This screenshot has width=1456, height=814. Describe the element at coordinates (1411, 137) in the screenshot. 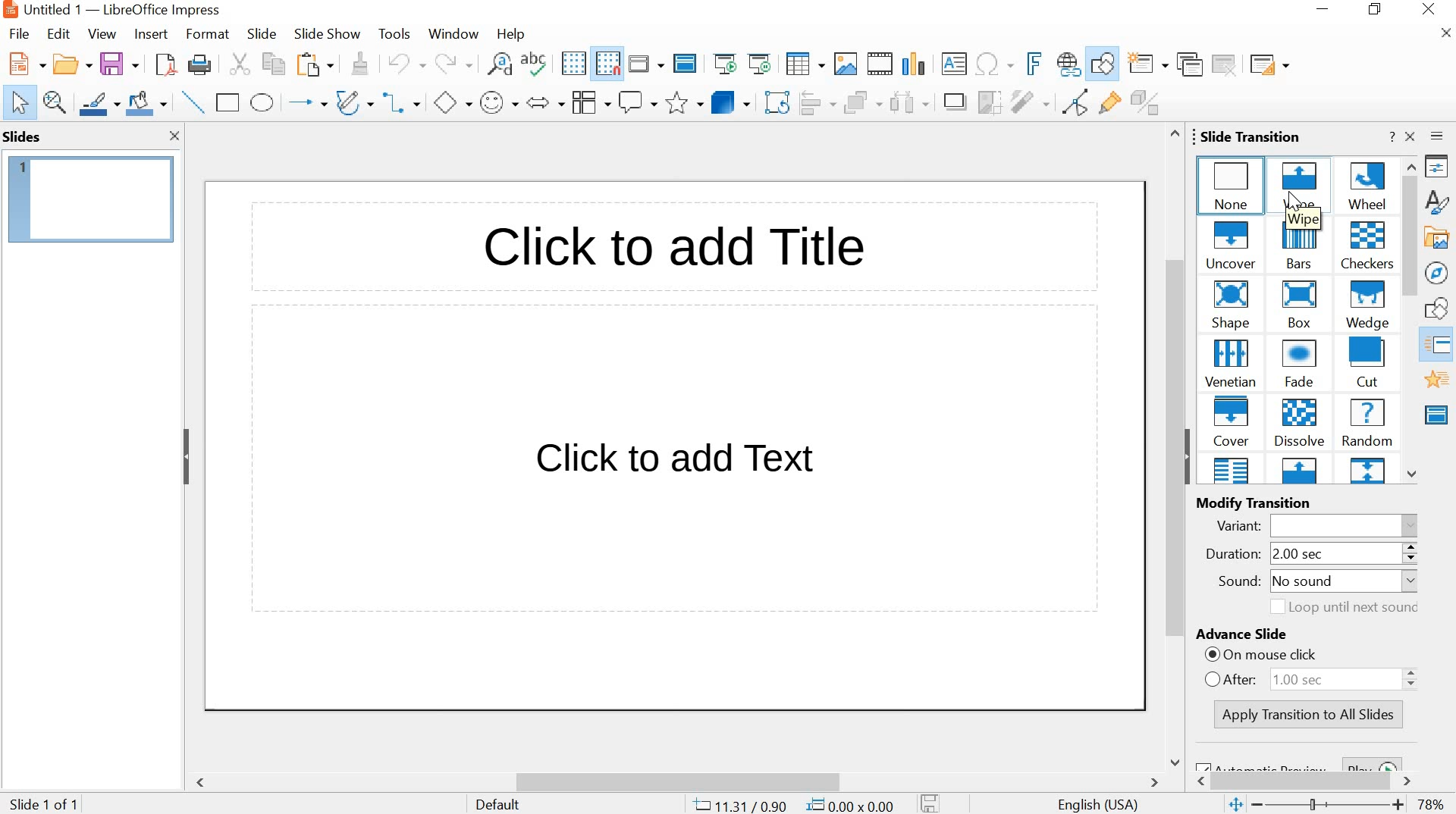

I see `close sidebar deck` at that location.